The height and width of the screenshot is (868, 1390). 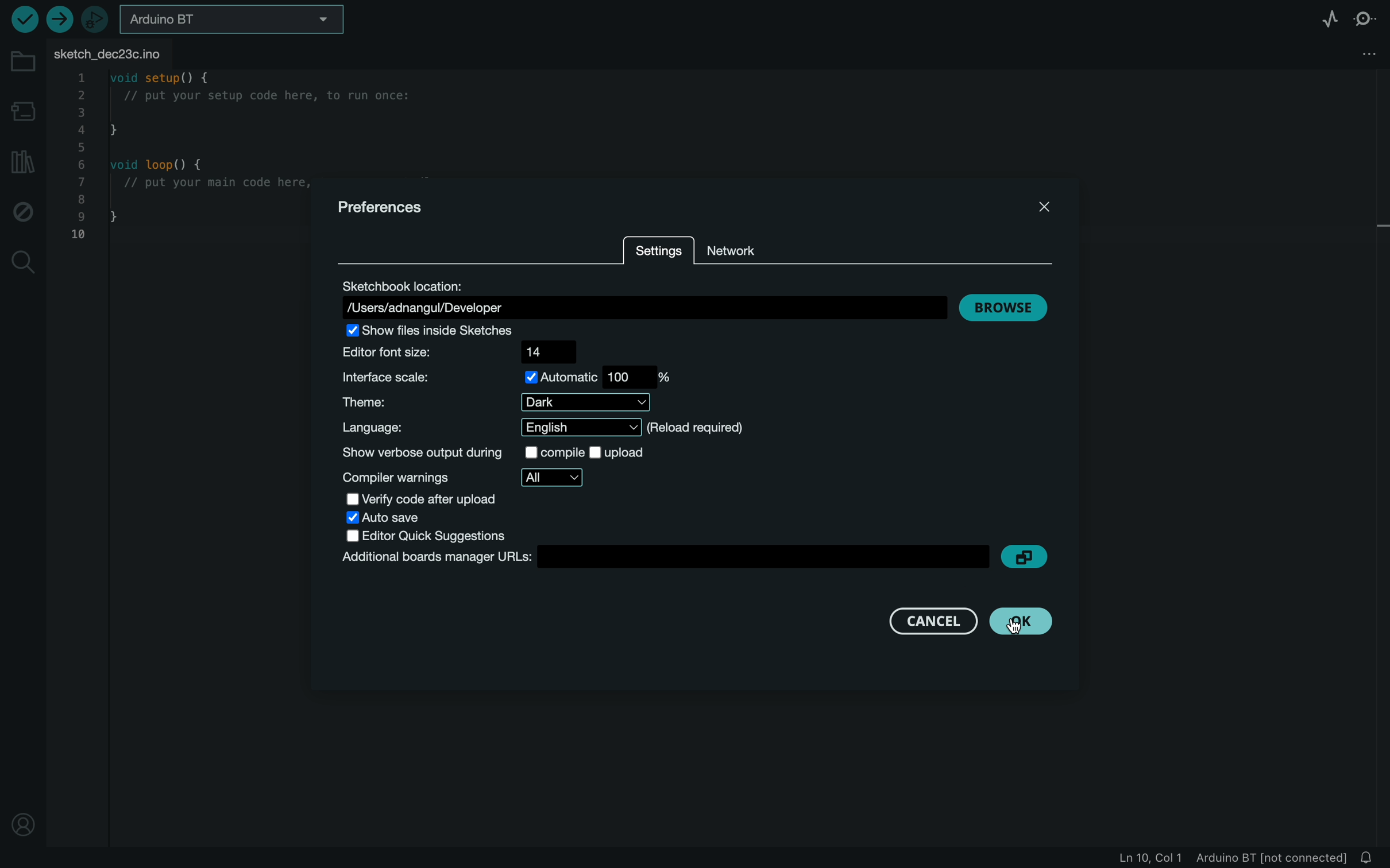 What do you see at coordinates (1364, 53) in the screenshot?
I see `file manager` at bounding box center [1364, 53].